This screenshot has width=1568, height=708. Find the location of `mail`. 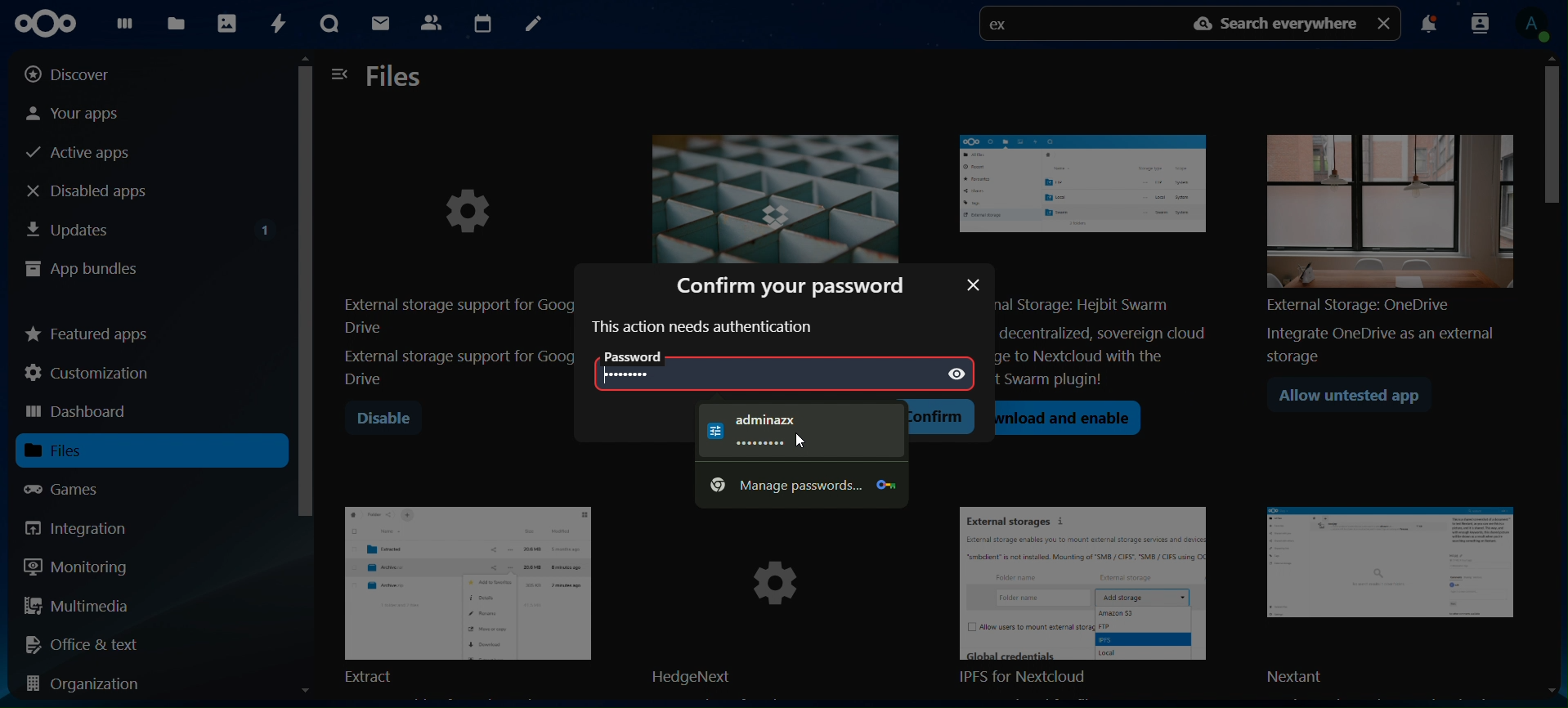

mail is located at coordinates (383, 25).